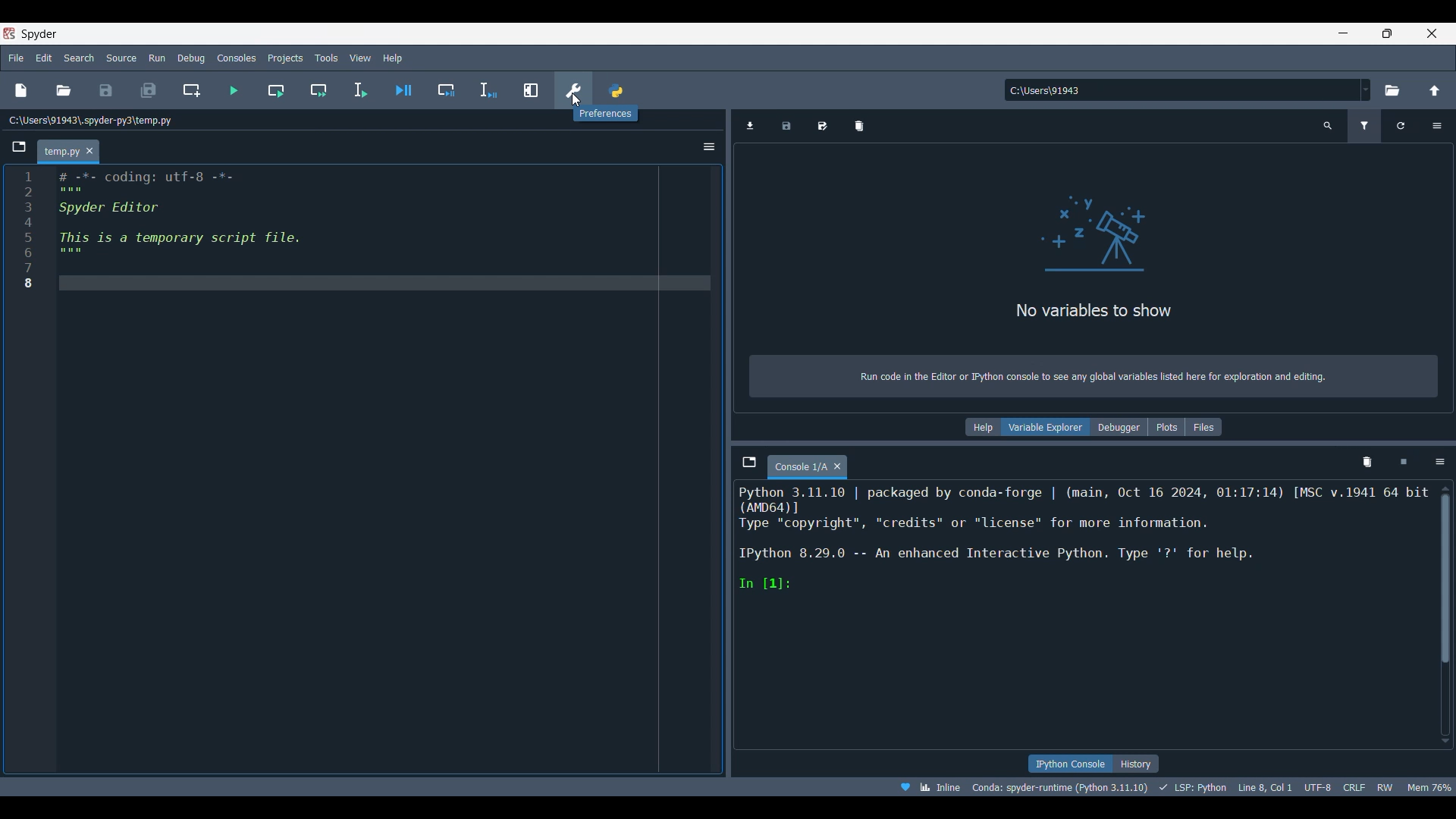 The height and width of the screenshot is (819, 1456). What do you see at coordinates (569, 88) in the screenshot?
I see `Preferences, highlighted by cursor` at bounding box center [569, 88].